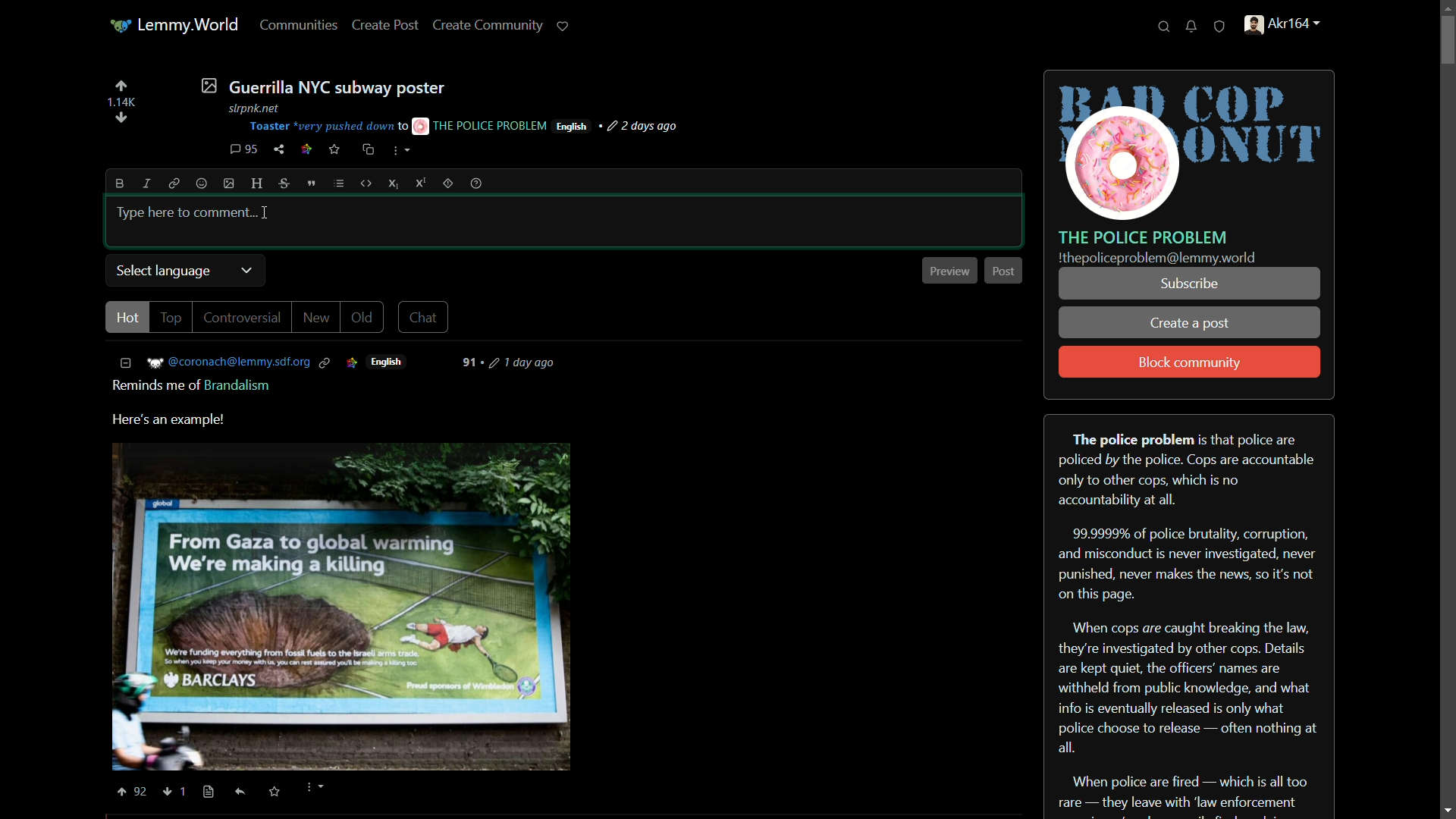 The width and height of the screenshot is (1456, 819). I want to click on emoji, so click(202, 184).